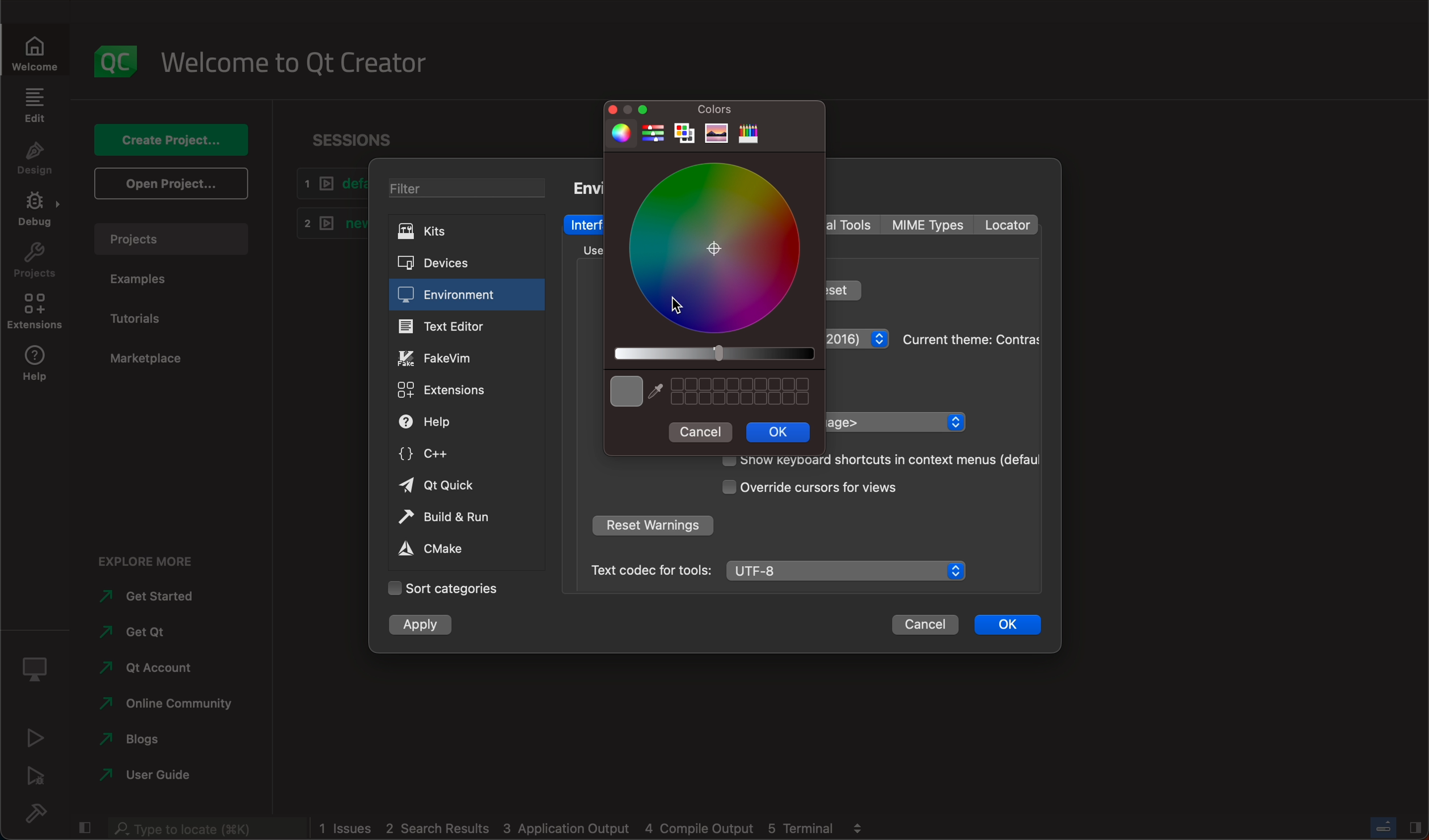 The width and height of the screenshot is (1429, 840). I want to click on theme, so click(969, 338).